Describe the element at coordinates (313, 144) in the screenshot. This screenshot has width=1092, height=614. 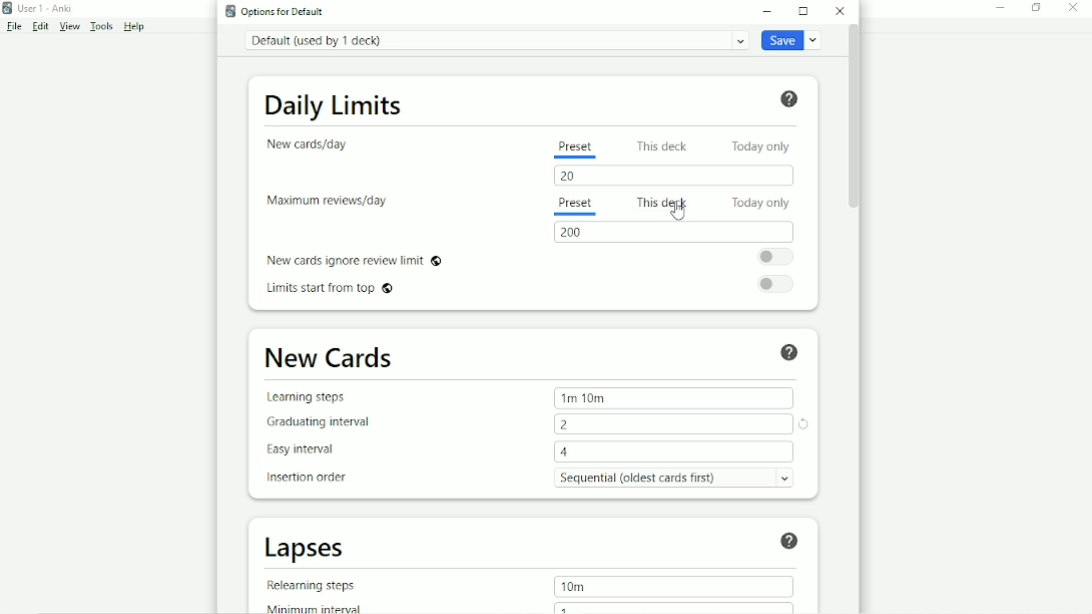
I see `New cards/day` at that location.